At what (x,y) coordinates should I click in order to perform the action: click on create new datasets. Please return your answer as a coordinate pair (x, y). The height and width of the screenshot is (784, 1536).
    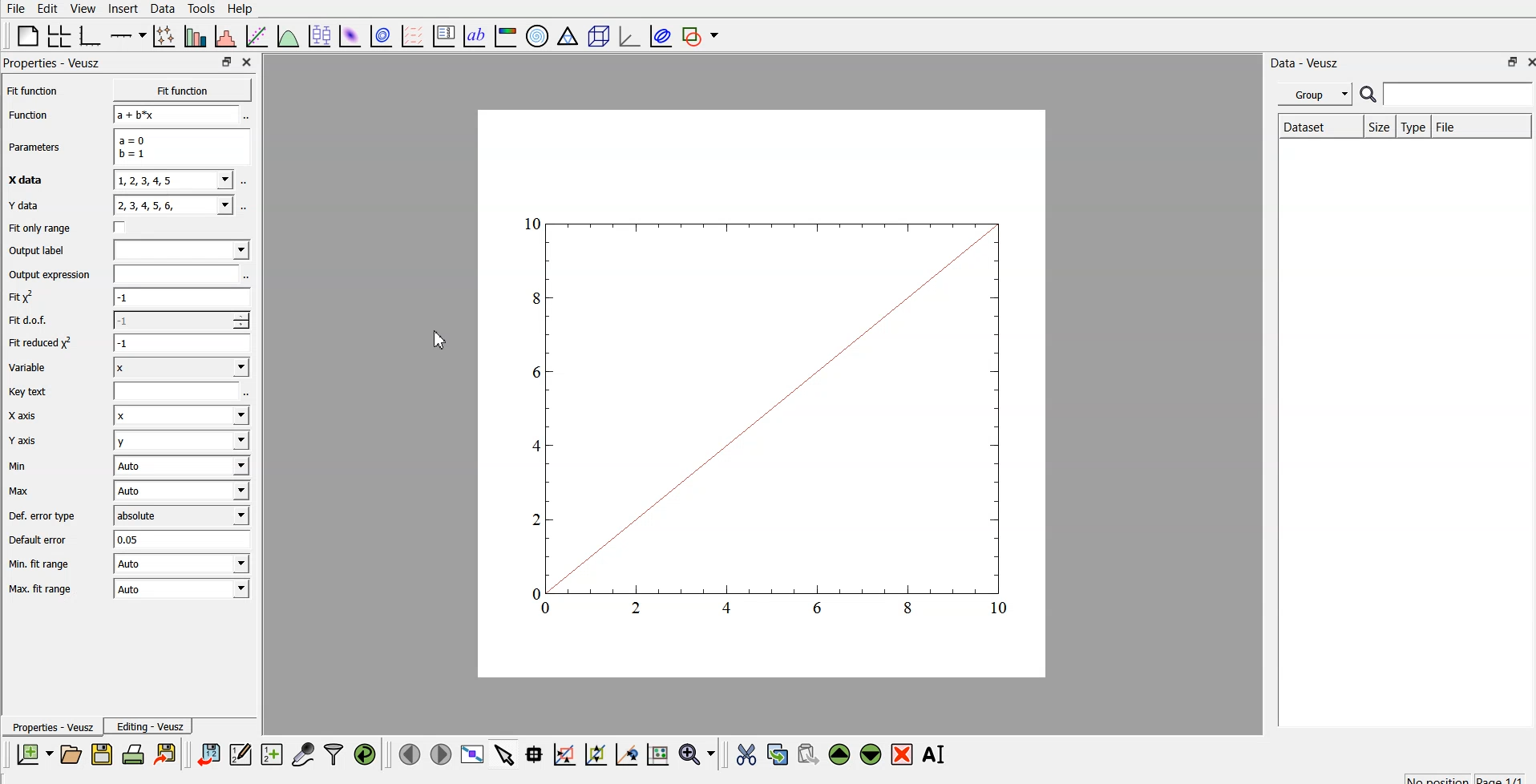
    Looking at the image, I should click on (270, 754).